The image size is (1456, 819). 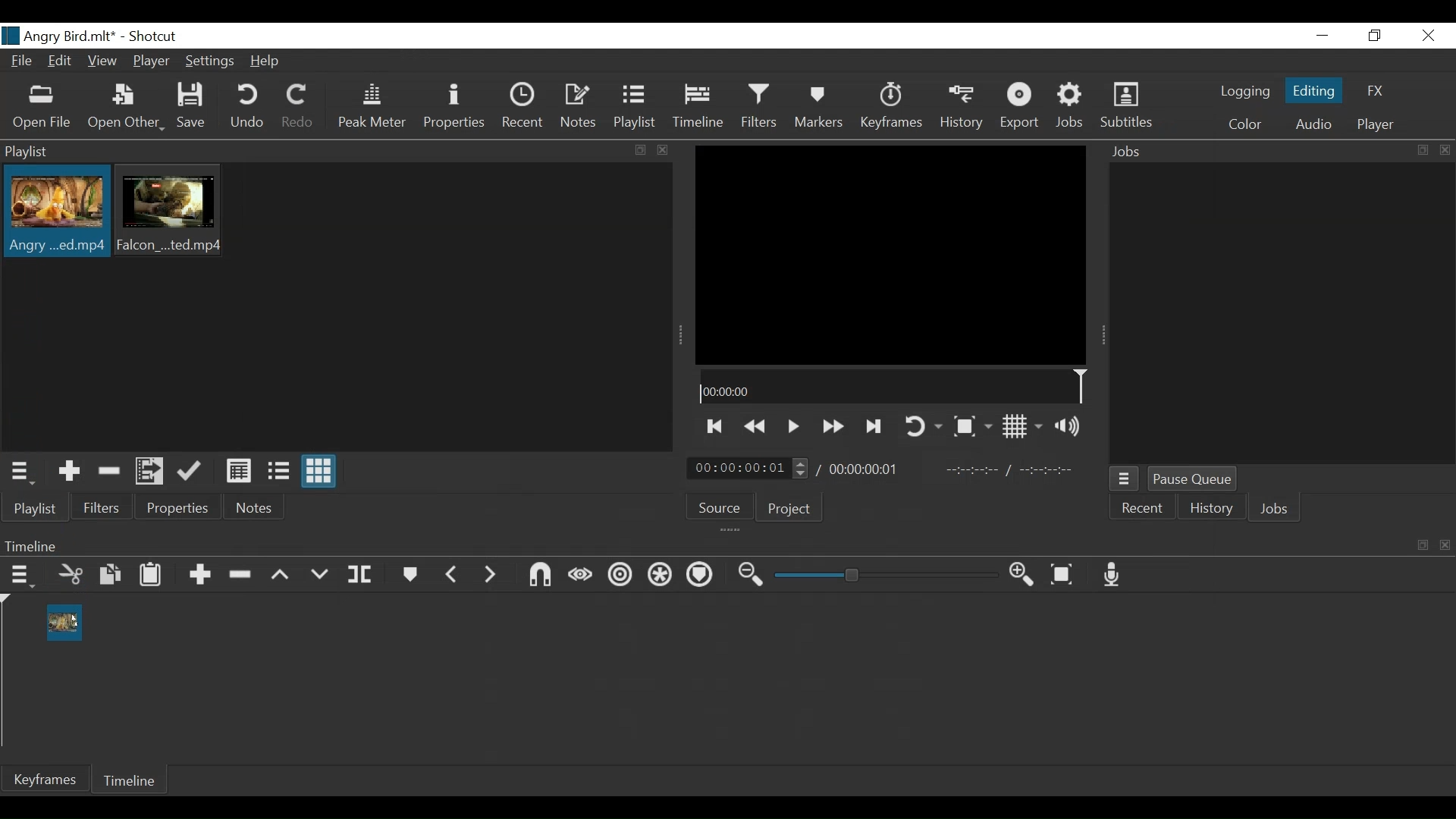 What do you see at coordinates (538, 576) in the screenshot?
I see `Snap` at bounding box center [538, 576].